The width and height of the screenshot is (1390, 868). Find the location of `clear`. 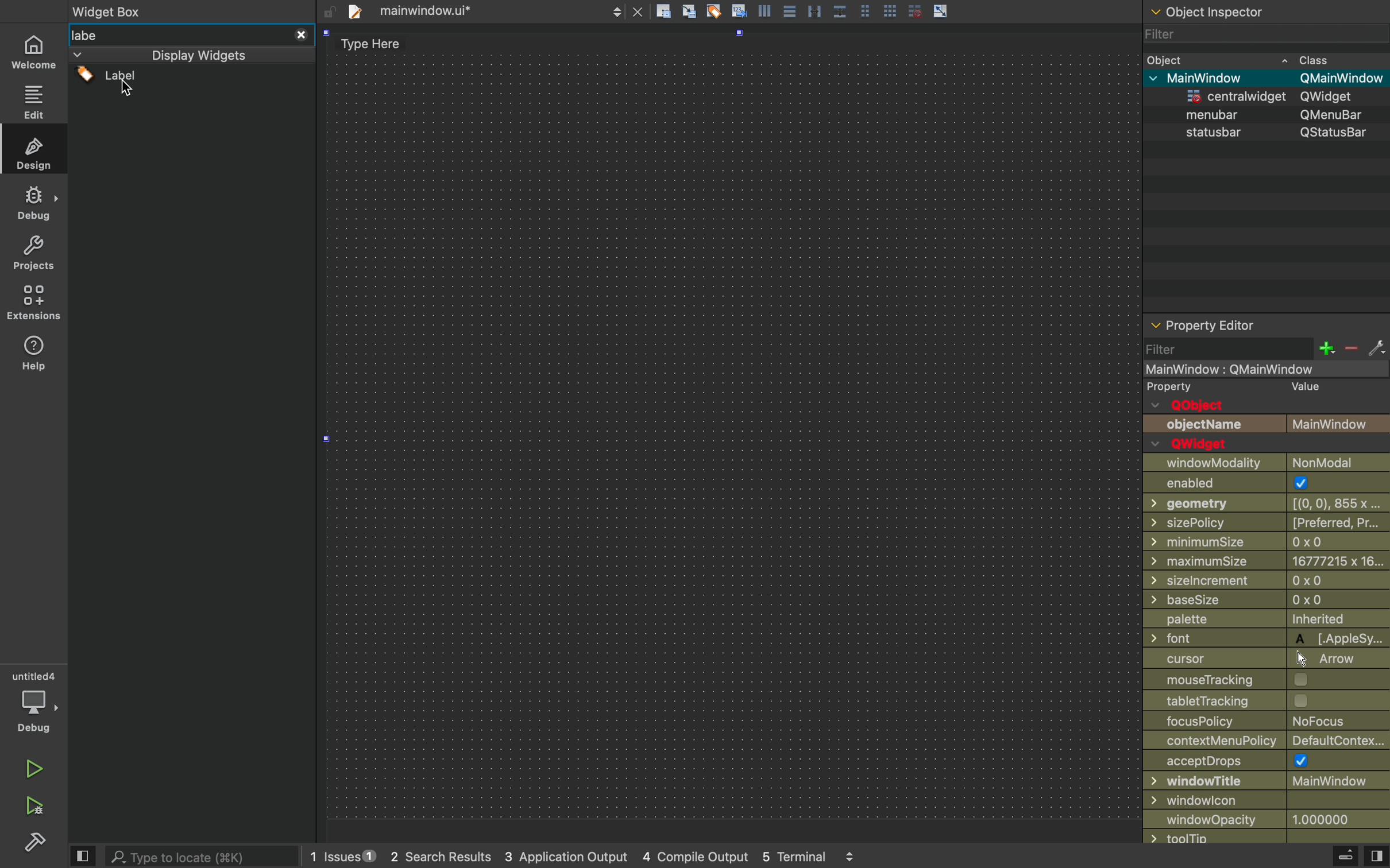

clear is located at coordinates (714, 11).